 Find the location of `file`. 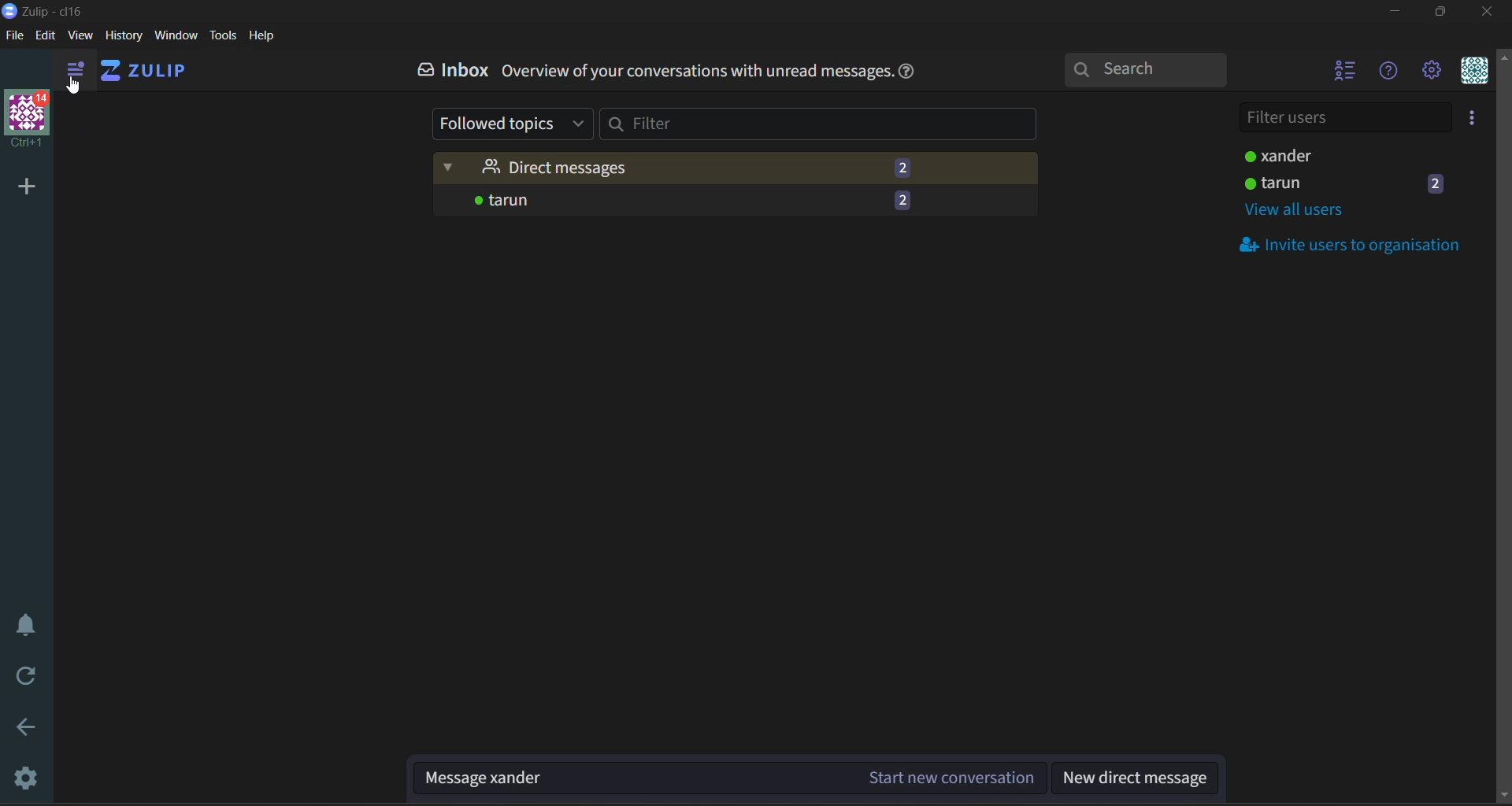

file is located at coordinates (16, 35).